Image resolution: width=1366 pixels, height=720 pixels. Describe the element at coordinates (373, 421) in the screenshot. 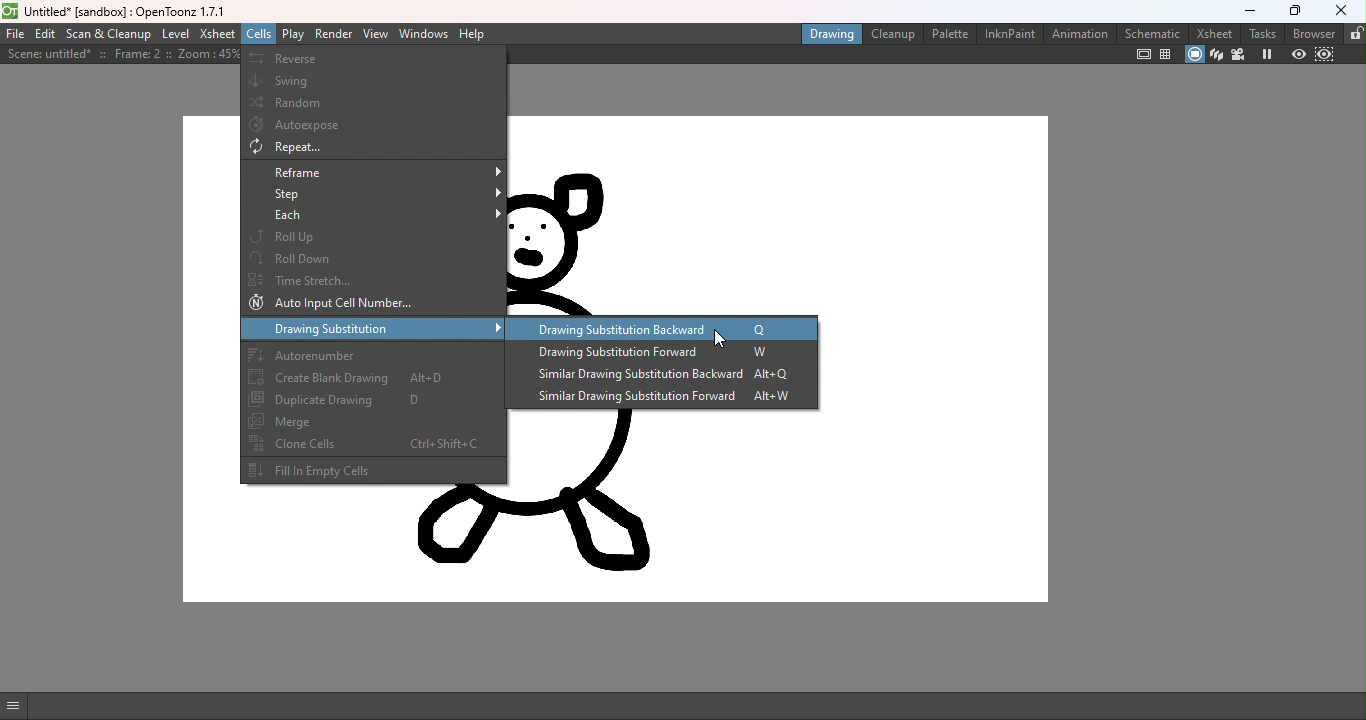

I see `Merge` at that location.